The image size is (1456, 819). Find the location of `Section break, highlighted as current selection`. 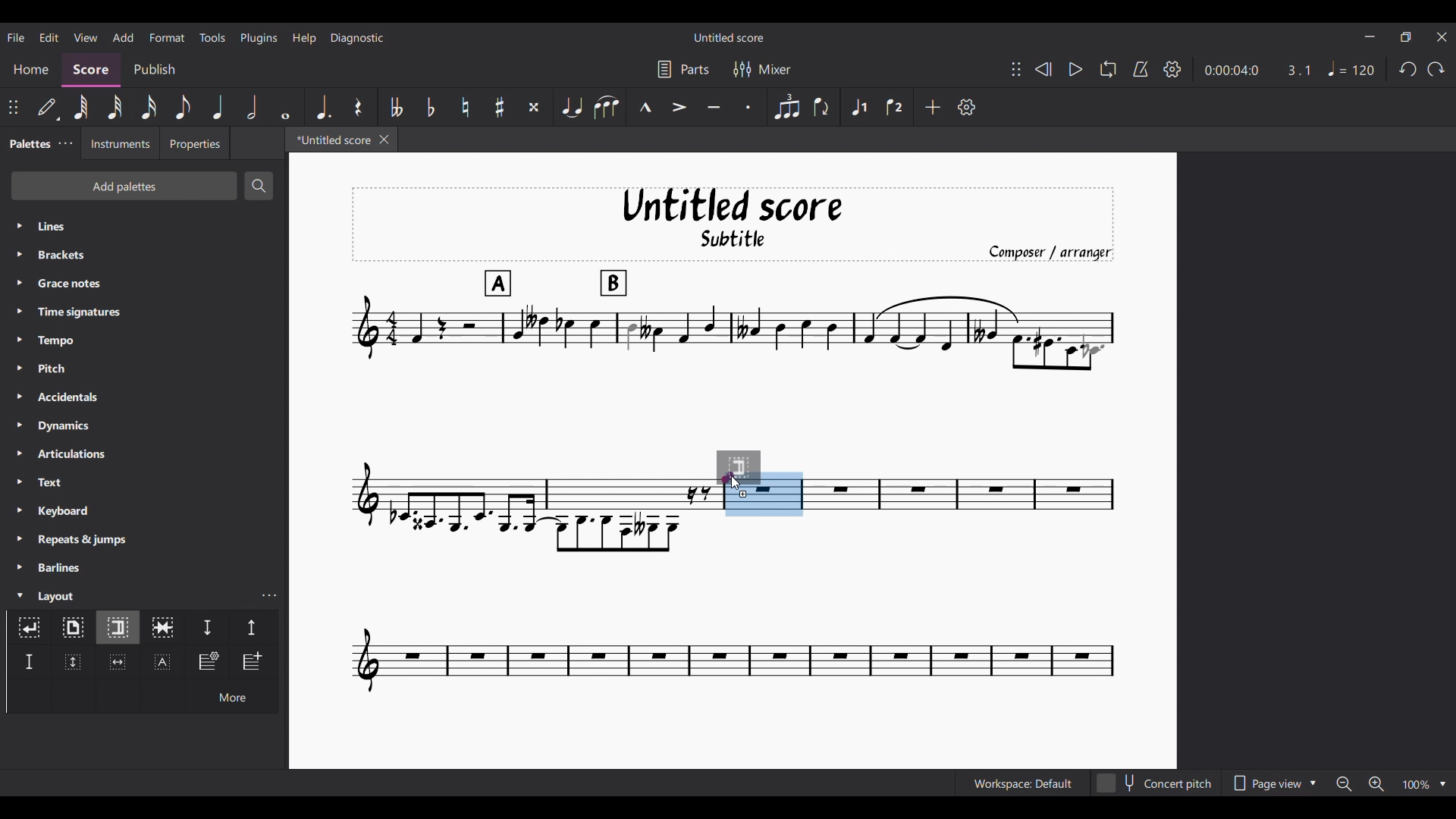

Section break, highlighted as current selection is located at coordinates (117, 628).